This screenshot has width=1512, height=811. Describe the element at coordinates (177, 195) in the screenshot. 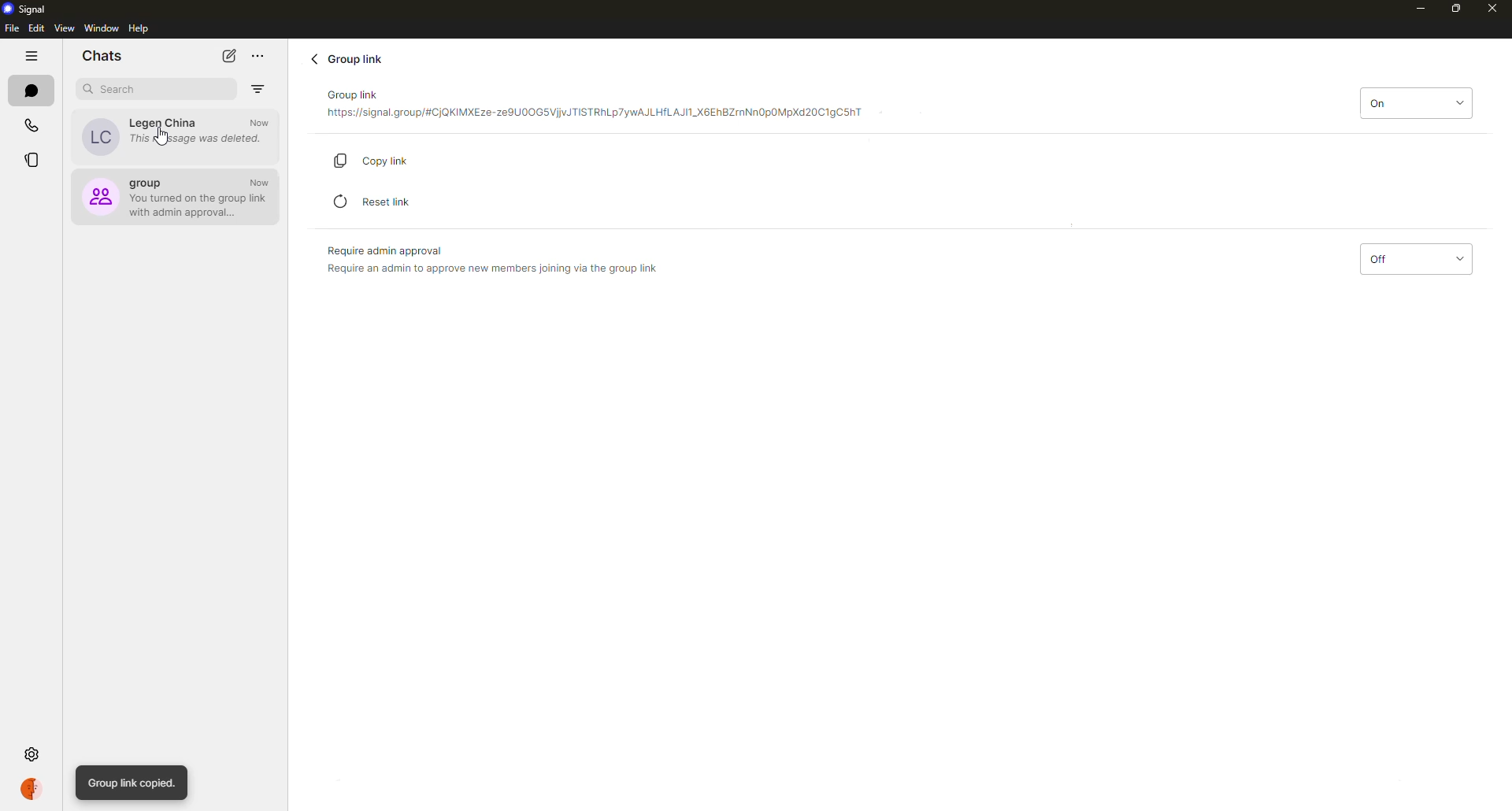

I see `group` at that location.